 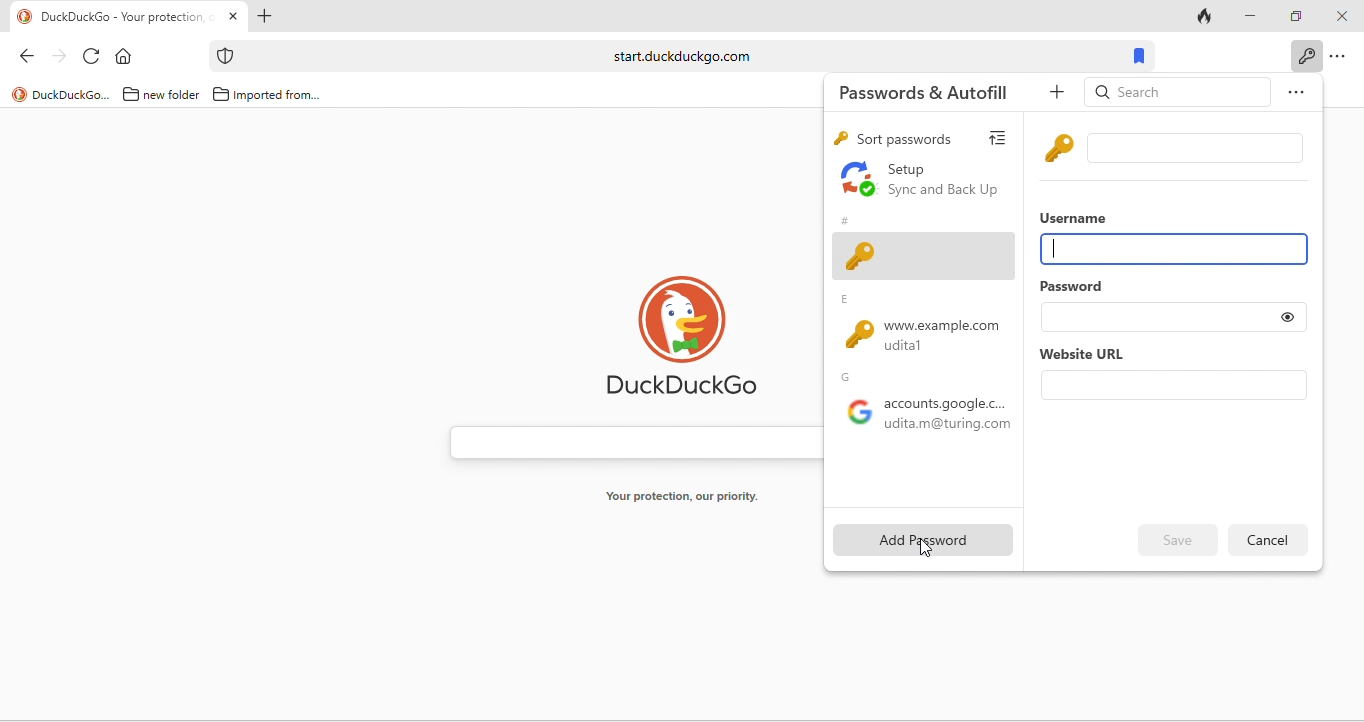 I want to click on www.example.com, so click(x=930, y=337).